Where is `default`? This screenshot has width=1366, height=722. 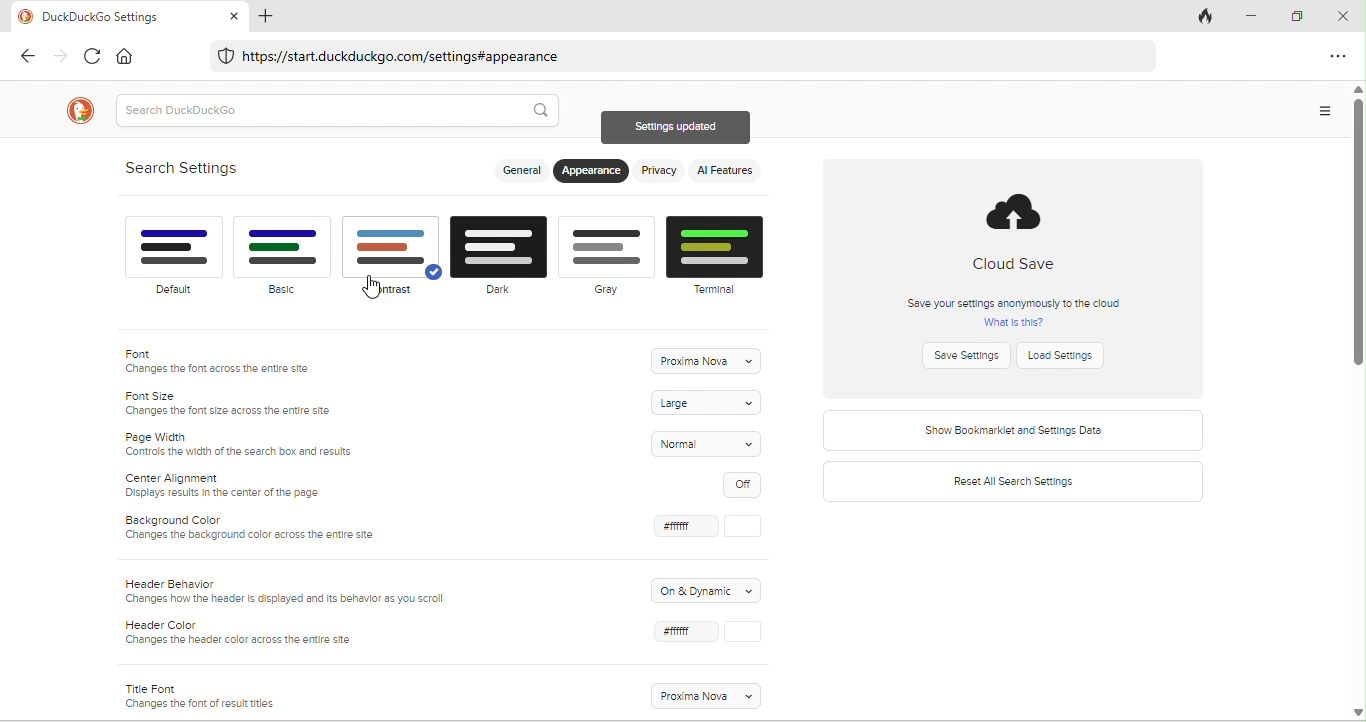
default is located at coordinates (172, 257).